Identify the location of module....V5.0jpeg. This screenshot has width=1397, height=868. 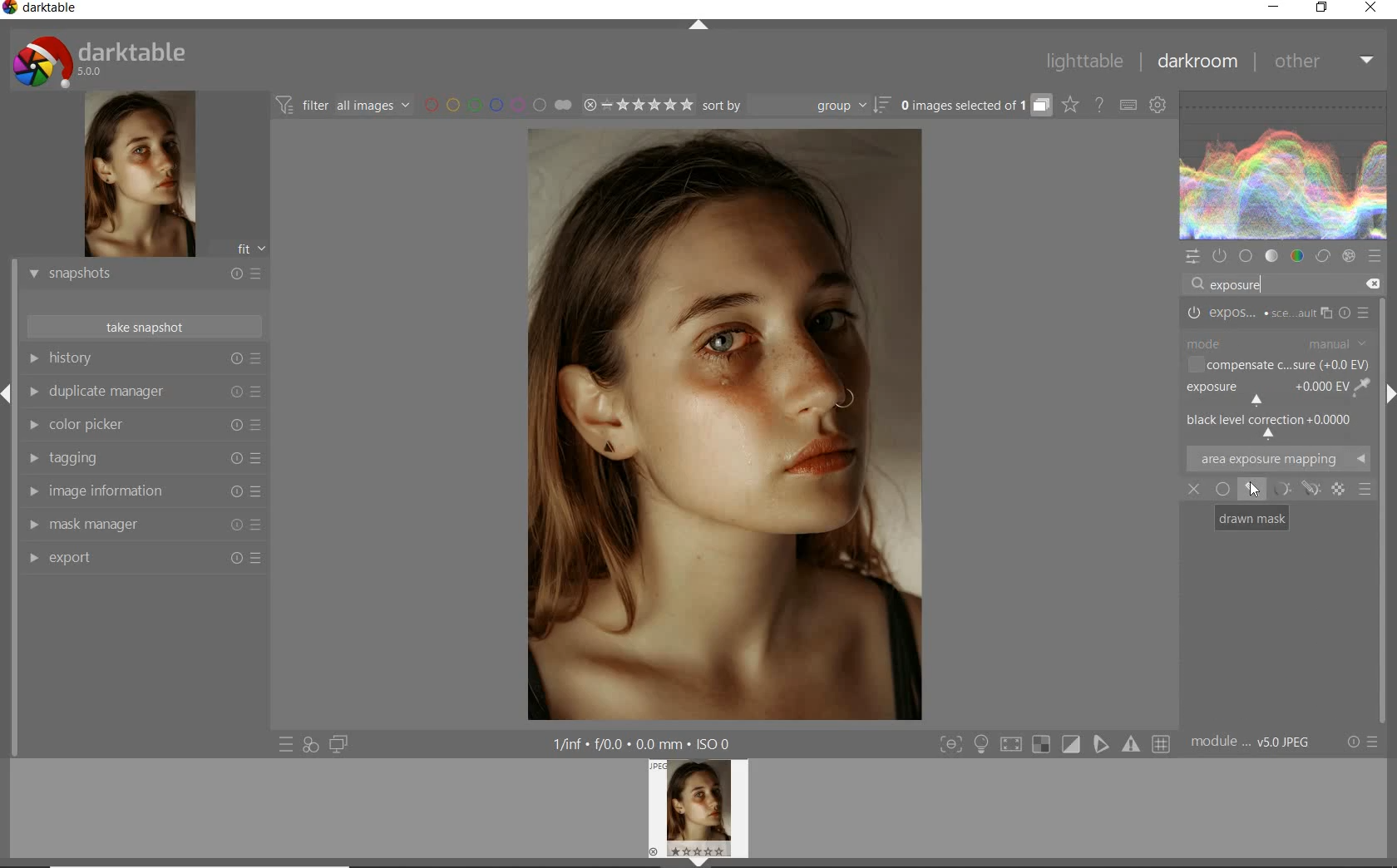
(1261, 744).